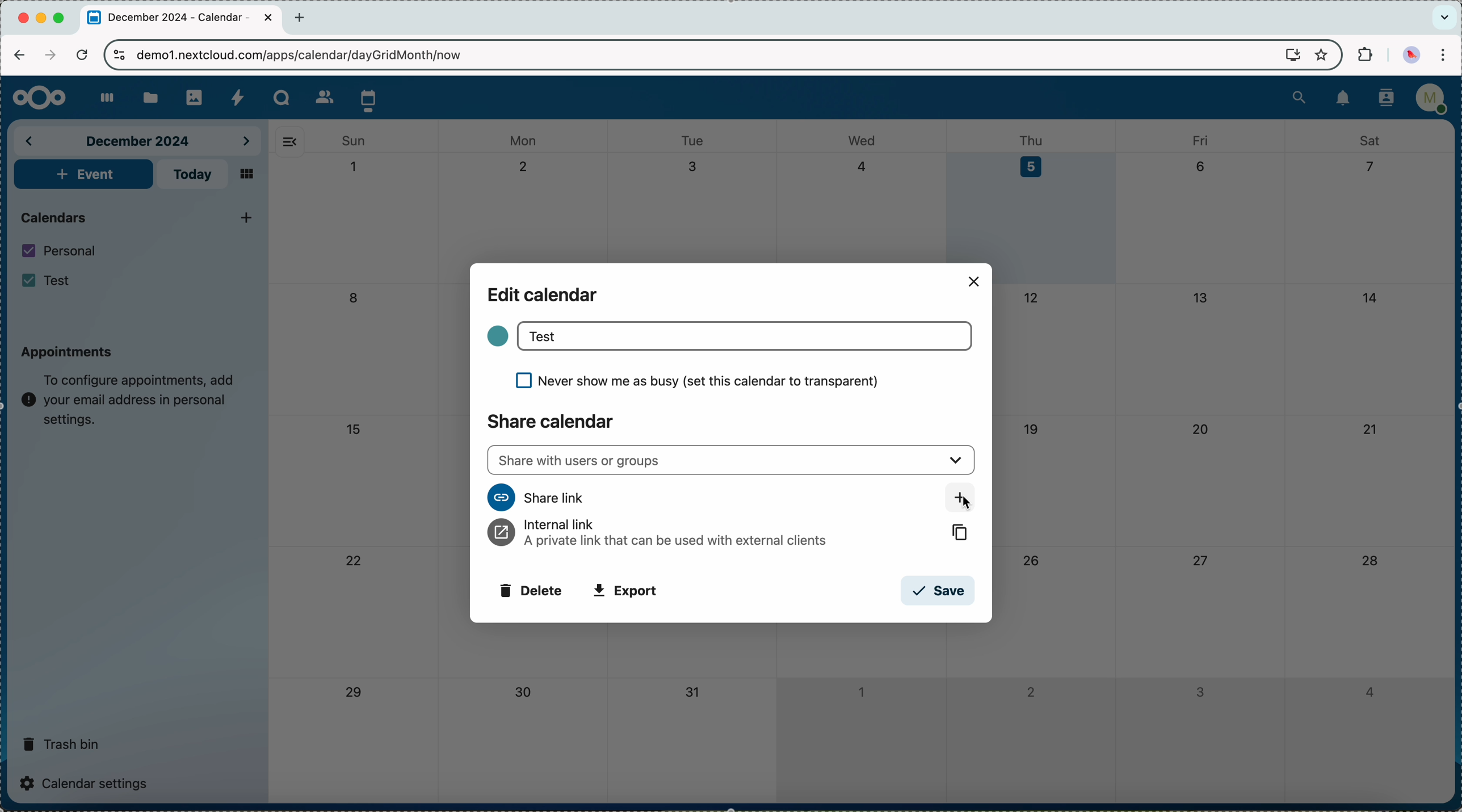  What do you see at coordinates (1374, 296) in the screenshot?
I see `14` at bounding box center [1374, 296].